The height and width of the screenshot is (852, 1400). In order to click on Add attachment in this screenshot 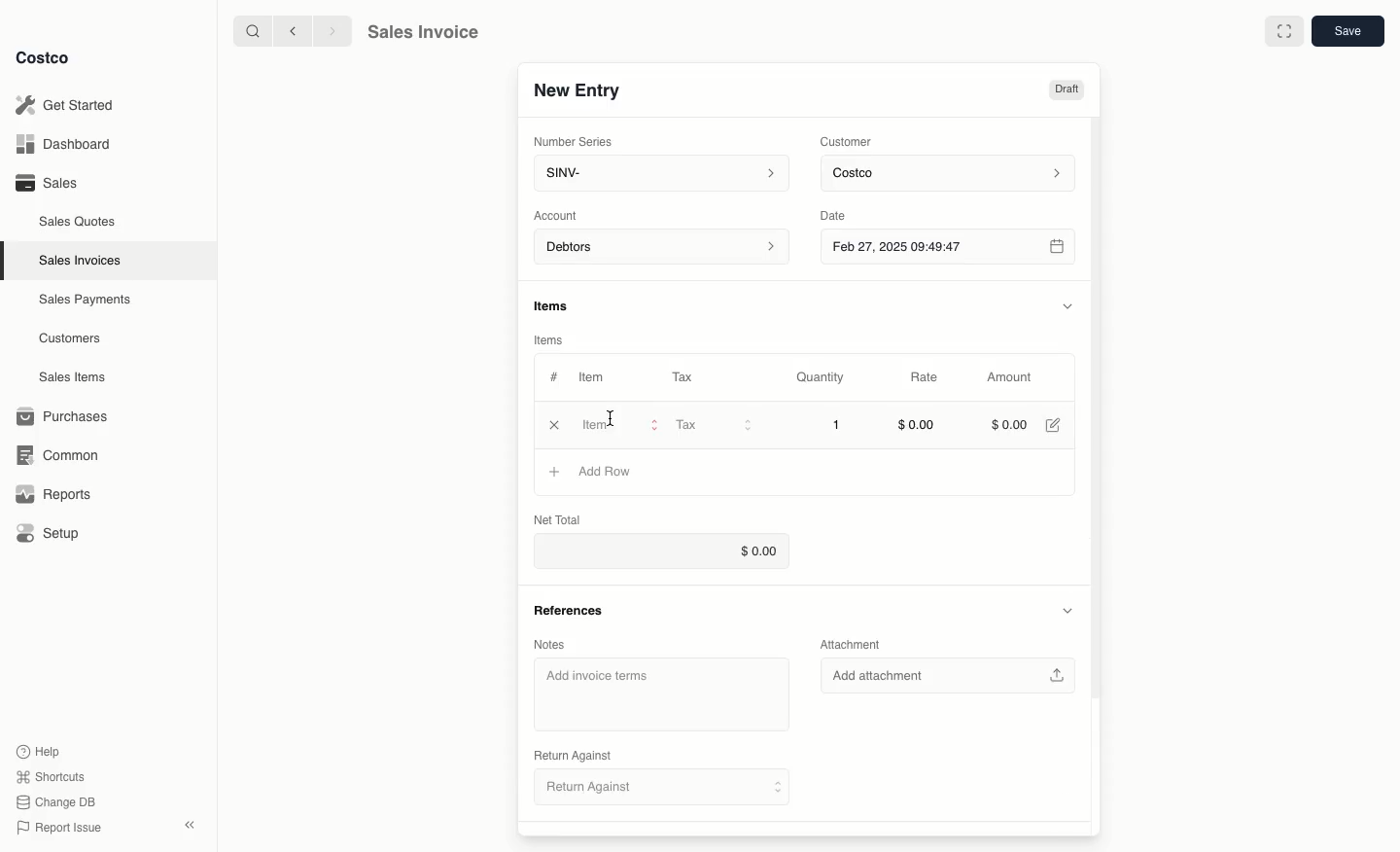, I will do `click(950, 676)`.